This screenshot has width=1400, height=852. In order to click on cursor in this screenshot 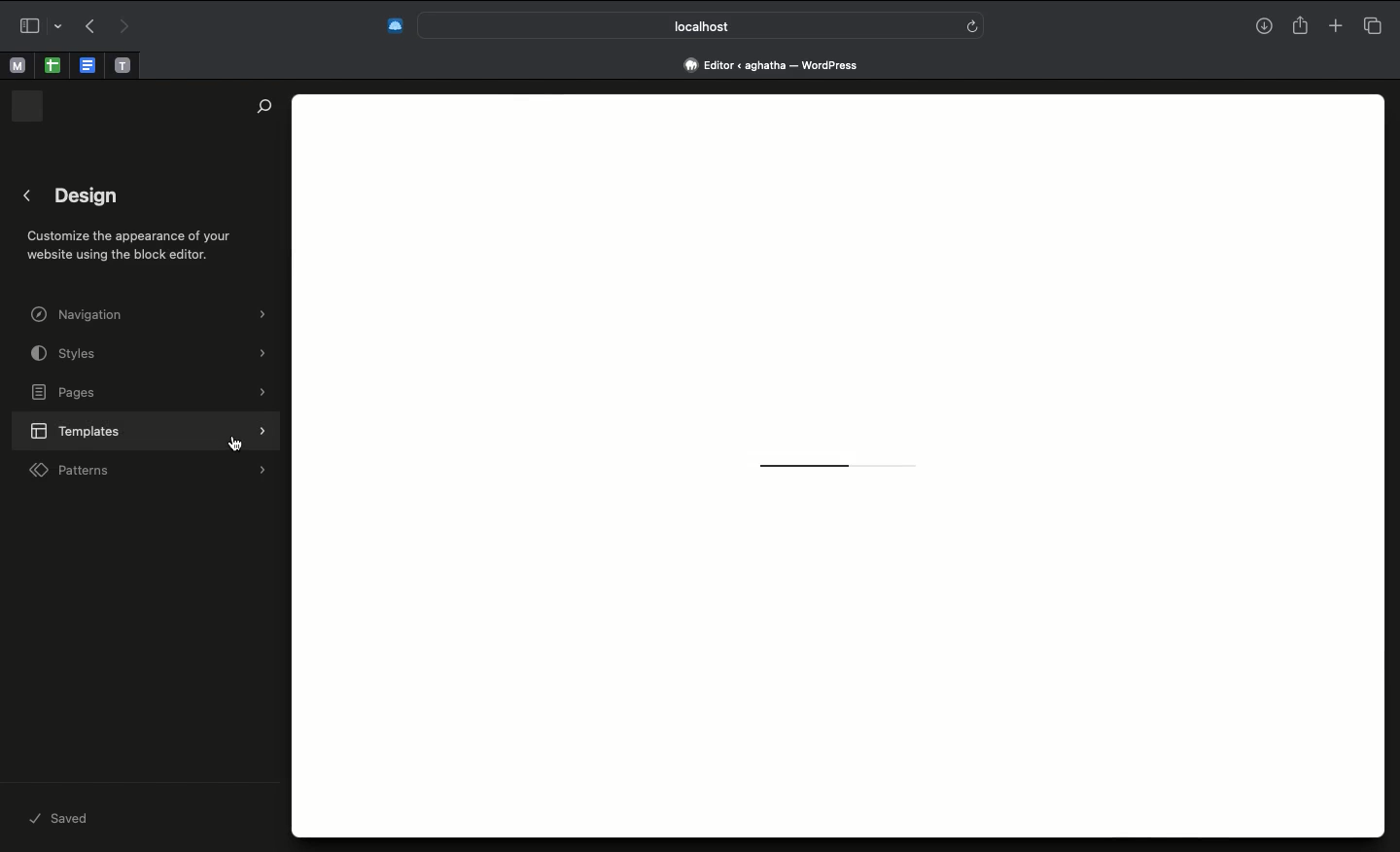, I will do `click(235, 444)`.